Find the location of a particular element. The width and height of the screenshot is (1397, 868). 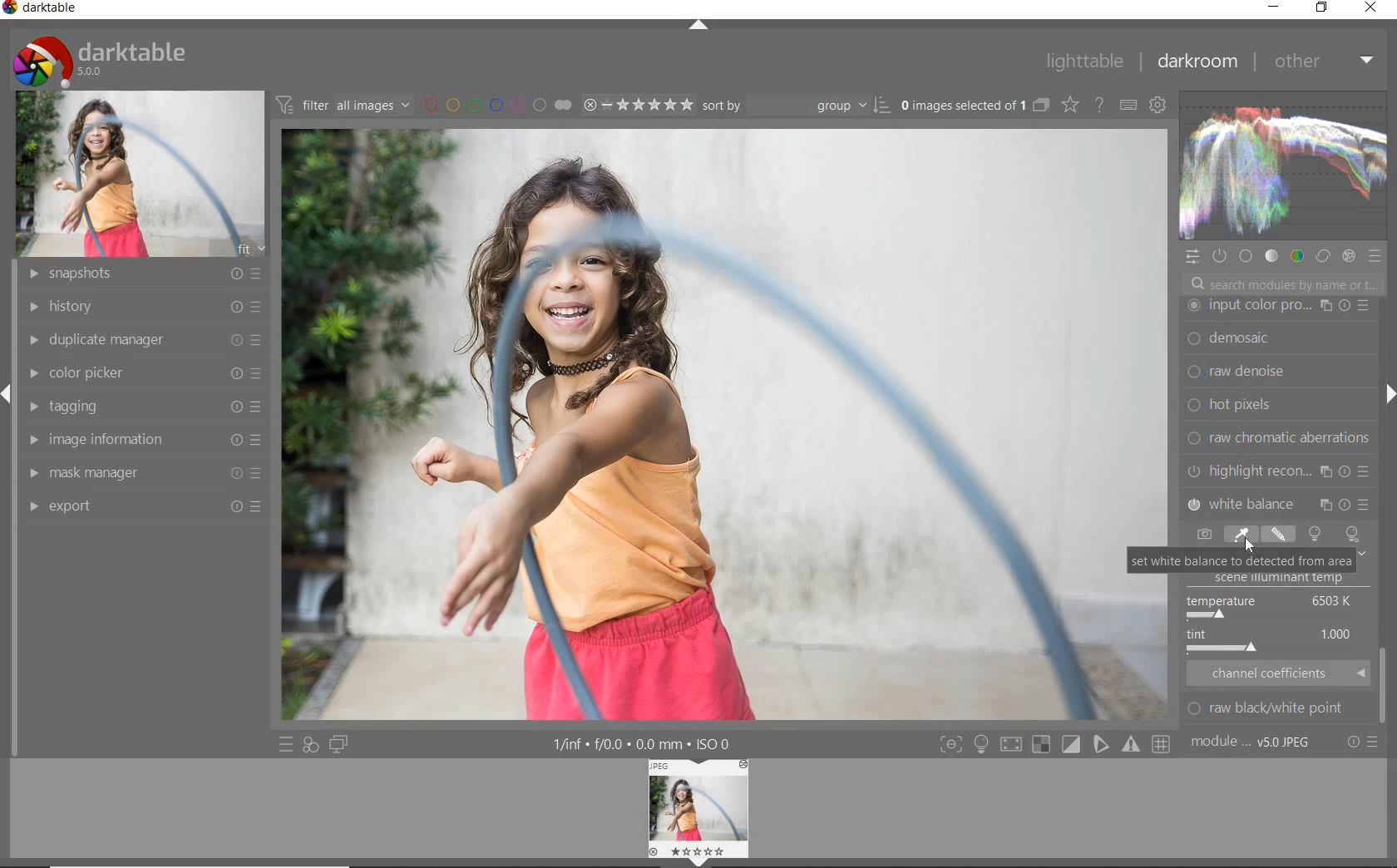

restore is located at coordinates (1321, 7).